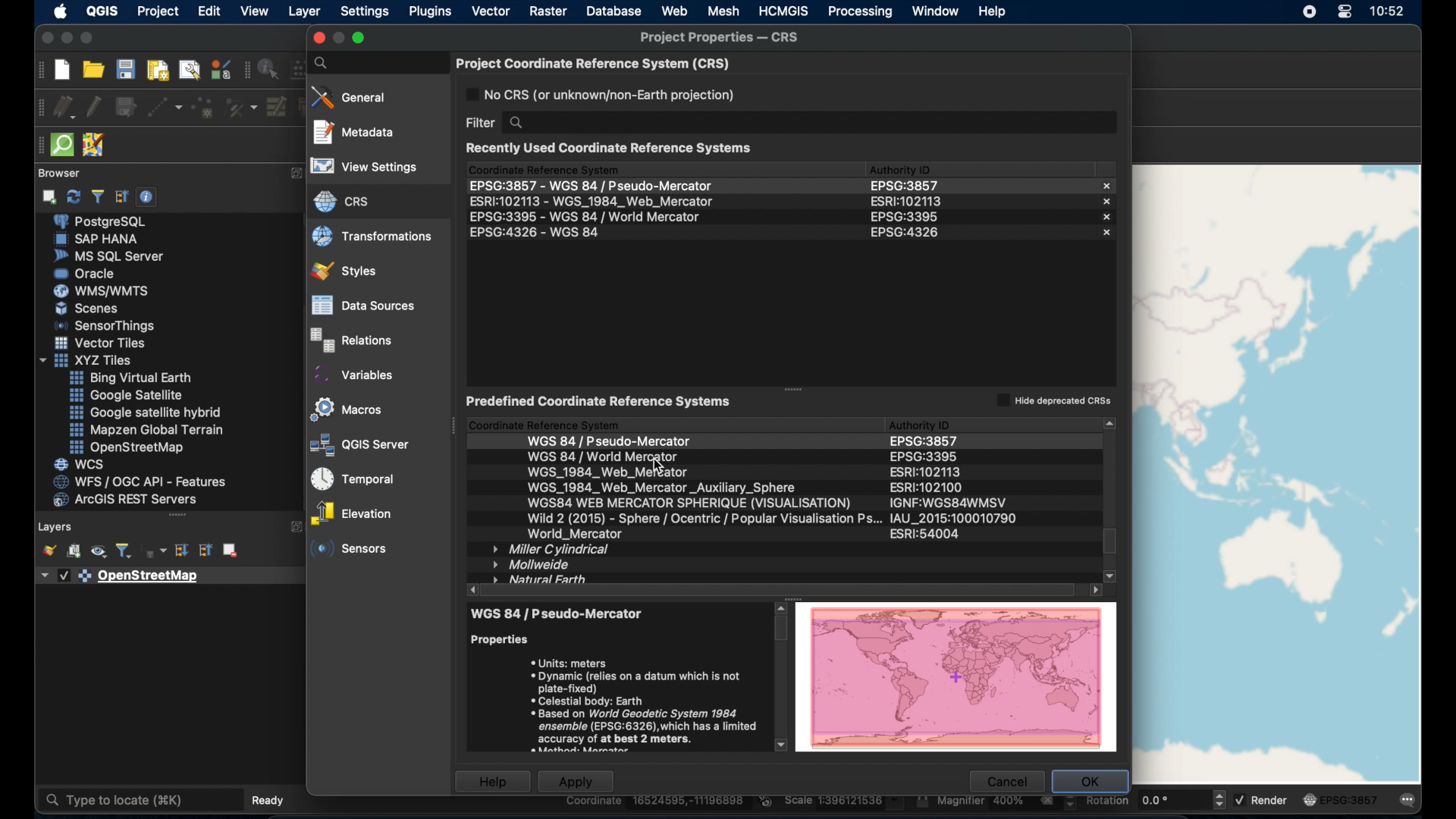 The image size is (1456, 819). Describe the element at coordinates (607, 472) in the screenshot. I see `wgs_1984 web mercator` at that location.